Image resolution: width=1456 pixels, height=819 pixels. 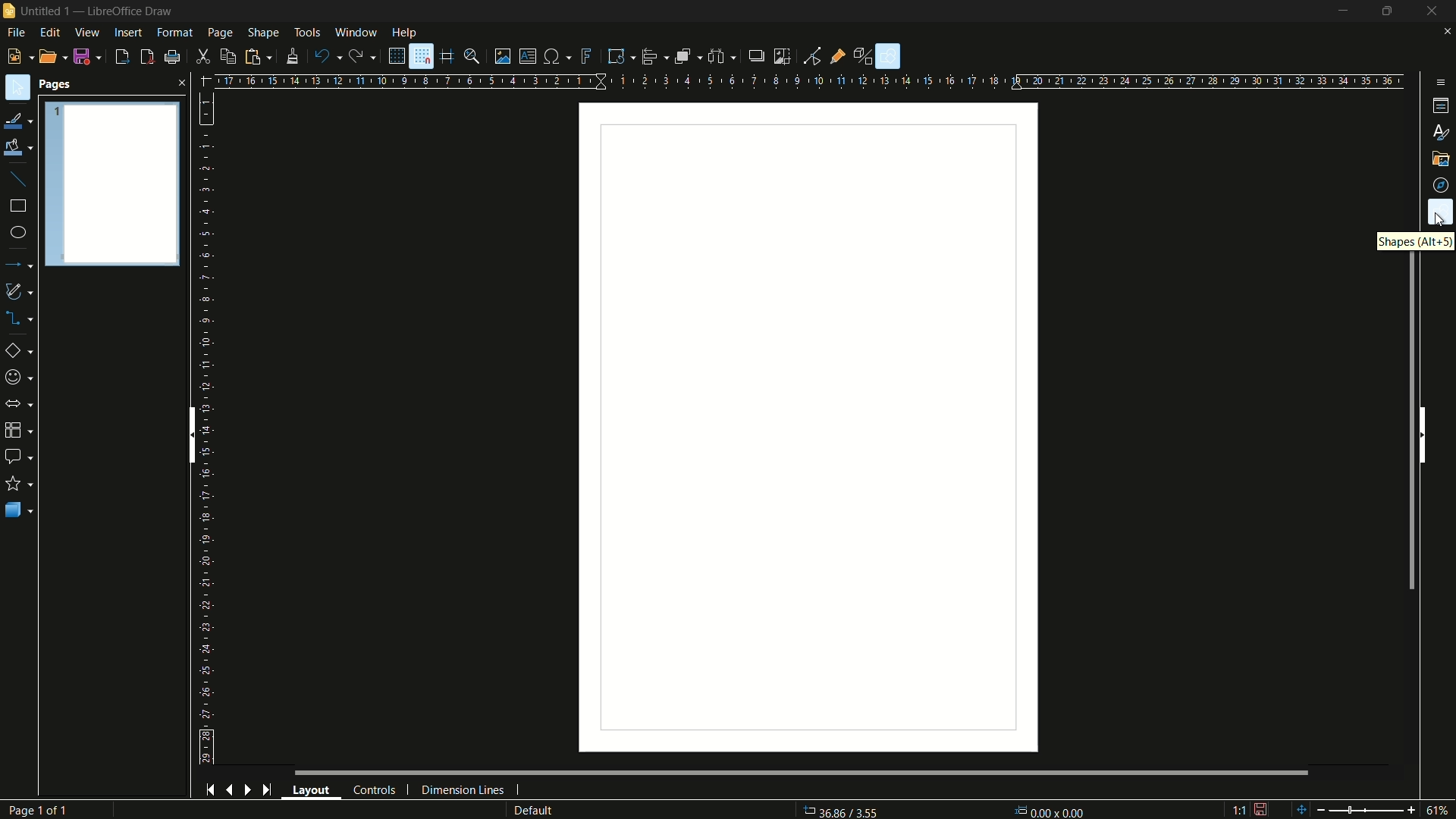 What do you see at coordinates (328, 57) in the screenshot?
I see `undo` at bounding box center [328, 57].